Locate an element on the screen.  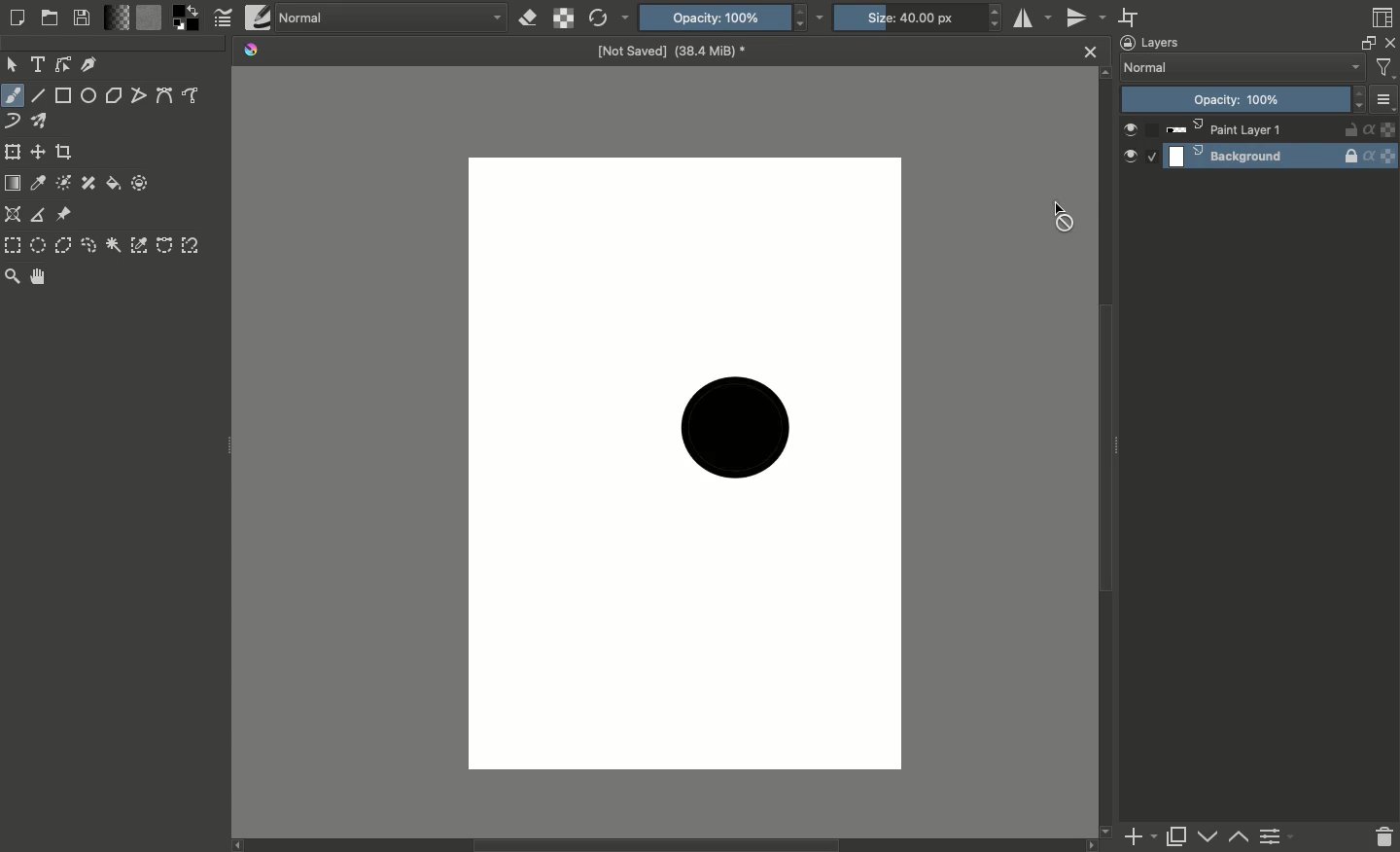
Krita is located at coordinates (255, 50).